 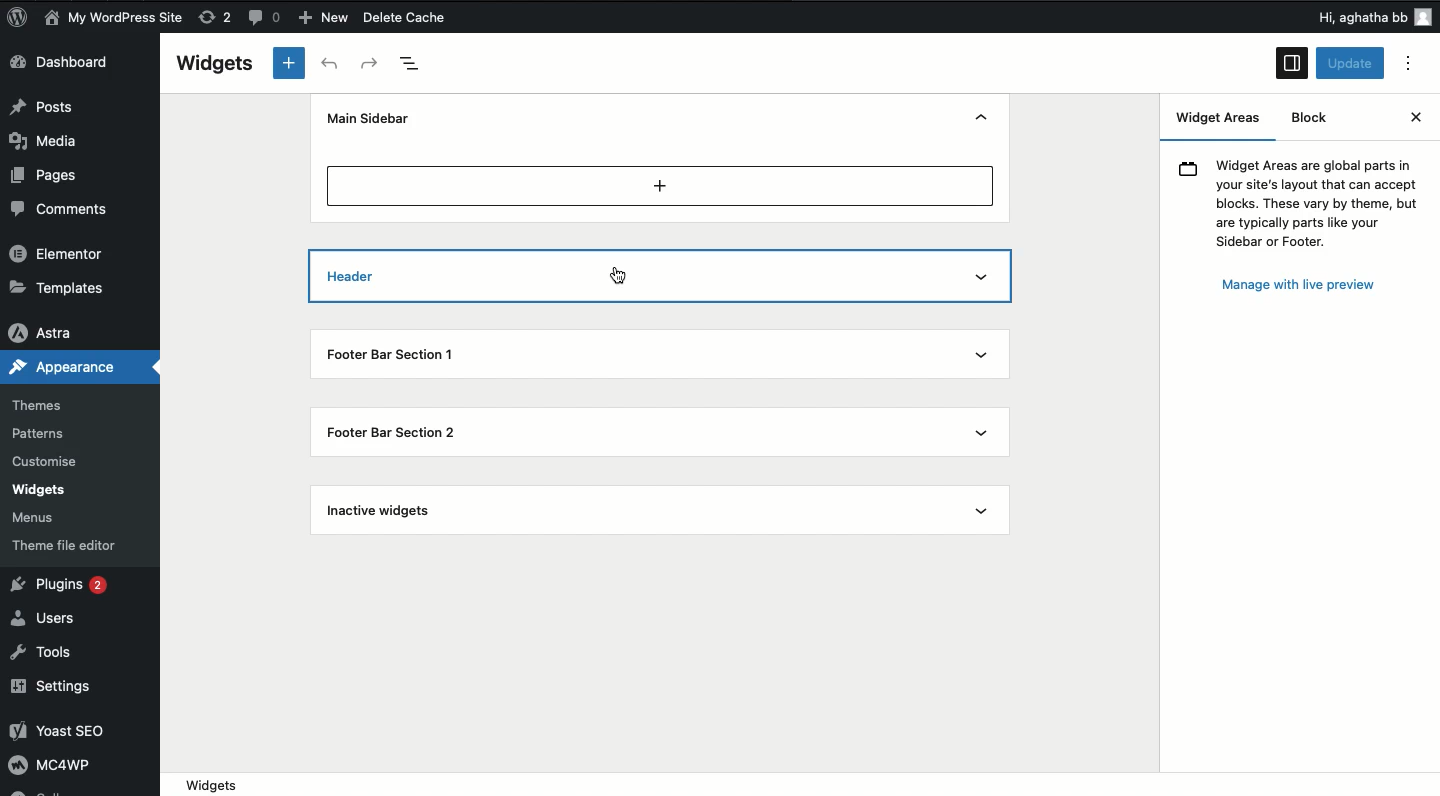 I want to click on Users, so click(x=52, y=617).